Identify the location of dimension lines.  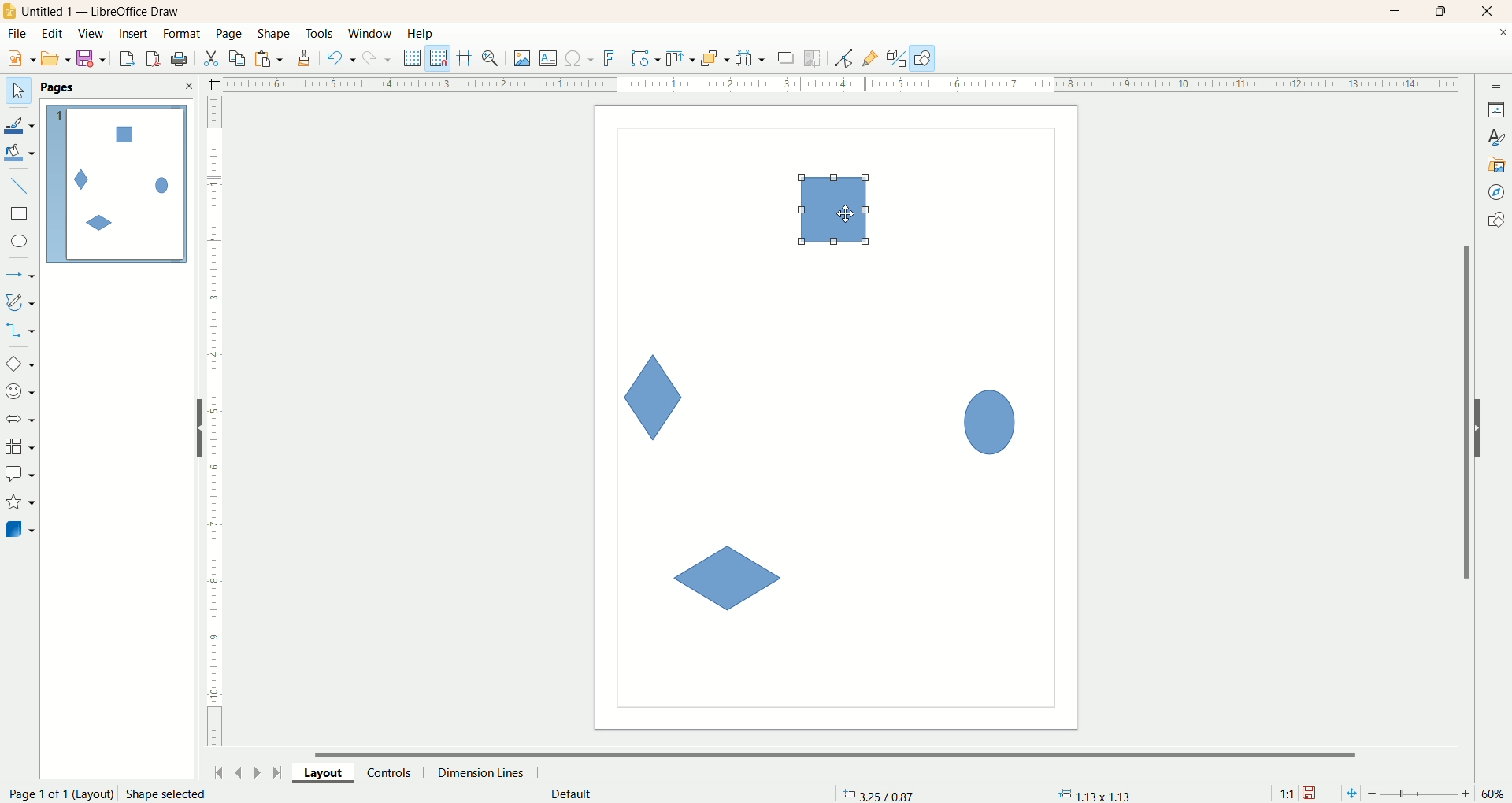
(485, 772).